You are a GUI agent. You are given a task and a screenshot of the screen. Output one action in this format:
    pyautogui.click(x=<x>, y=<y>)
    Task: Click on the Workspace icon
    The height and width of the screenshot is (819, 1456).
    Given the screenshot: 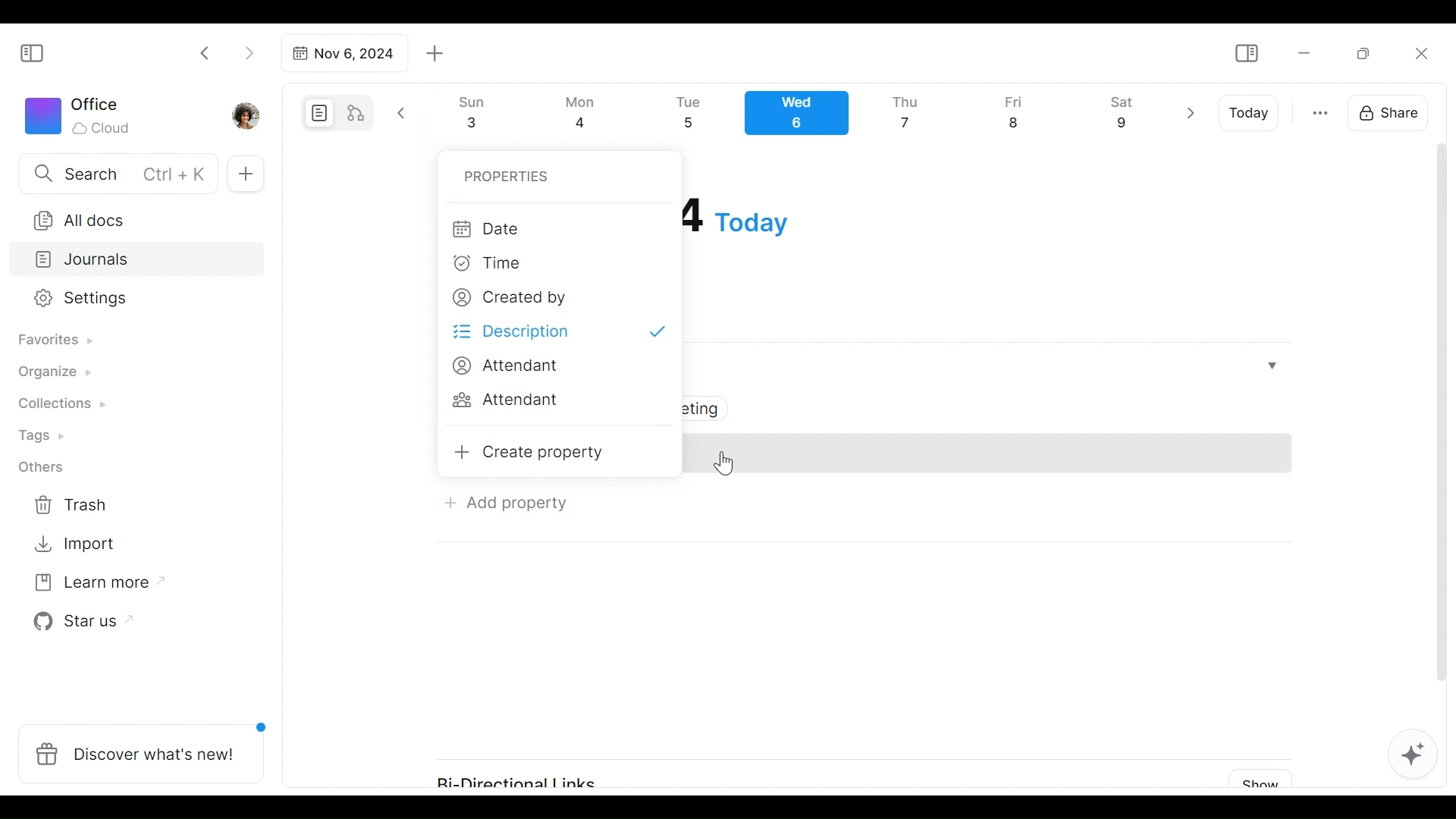 What is the action you would take?
    pyautogui.click(x=80, y=114)
    